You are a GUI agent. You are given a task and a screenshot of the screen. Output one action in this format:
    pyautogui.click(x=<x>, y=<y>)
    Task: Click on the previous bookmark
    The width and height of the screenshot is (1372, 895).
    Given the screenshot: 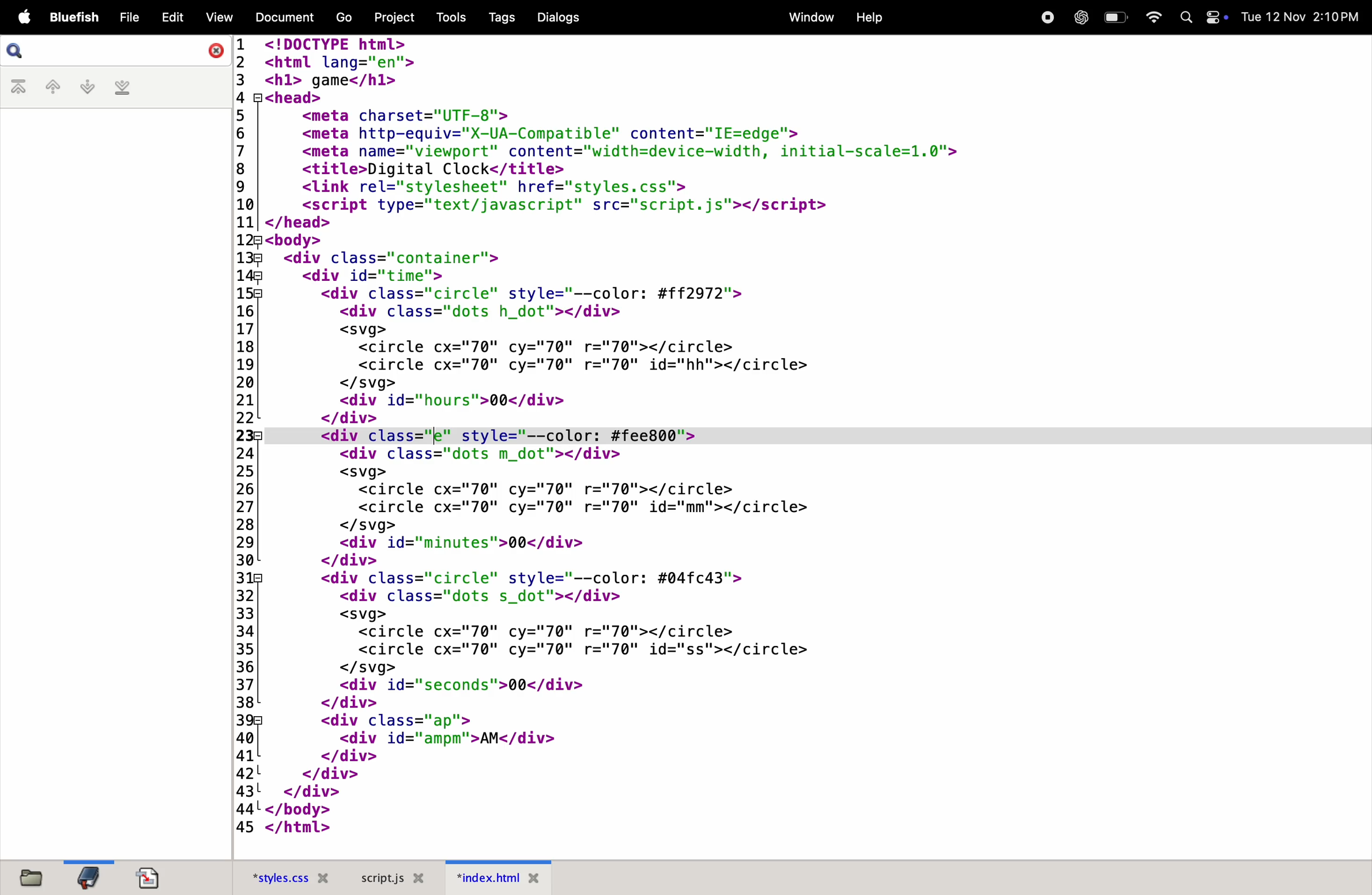 What is the action you would take?
    pyautogui.click(x=52, y=87)
    